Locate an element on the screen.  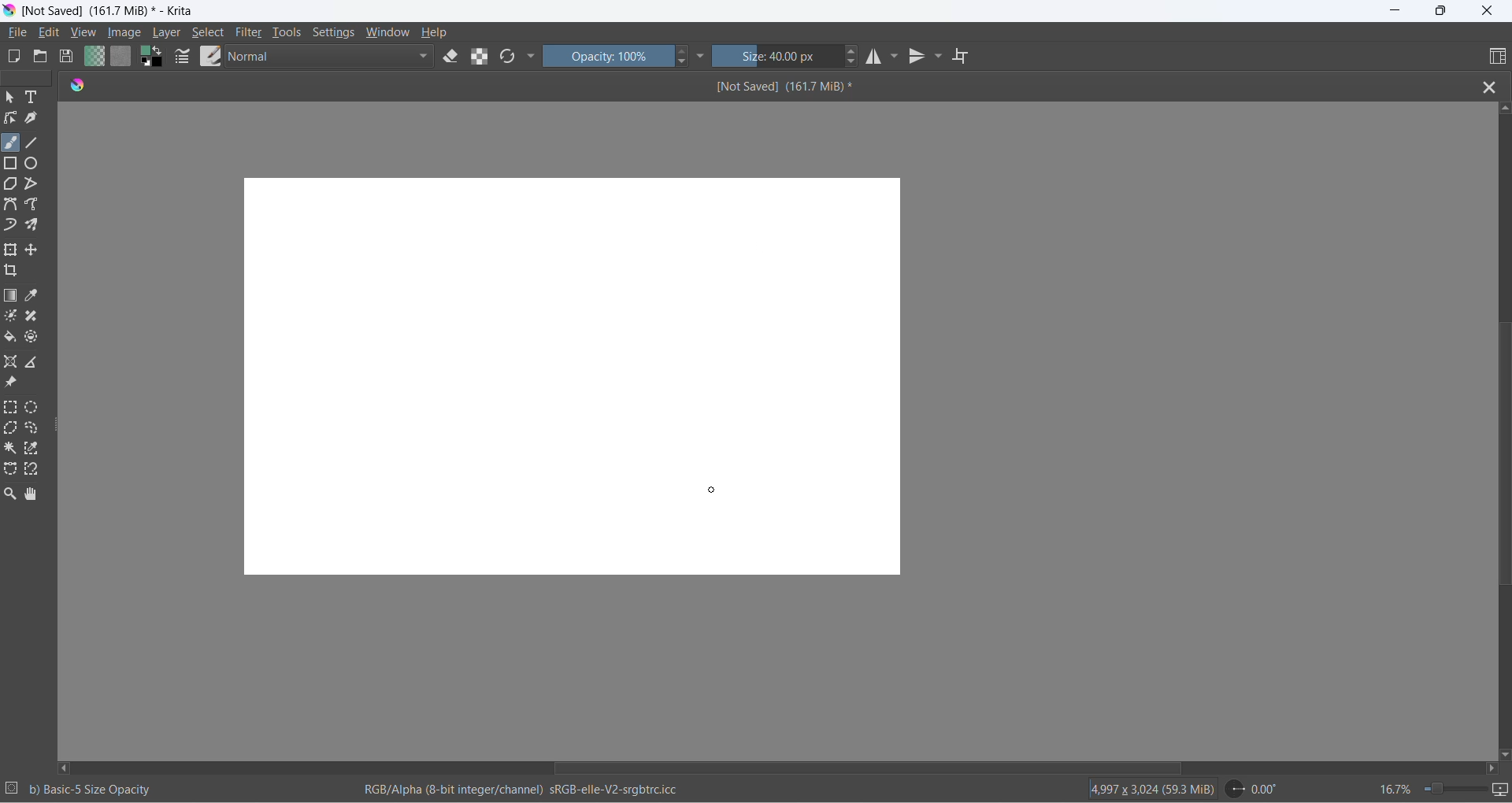
set eraser tool is located at coordinates (451, 56).